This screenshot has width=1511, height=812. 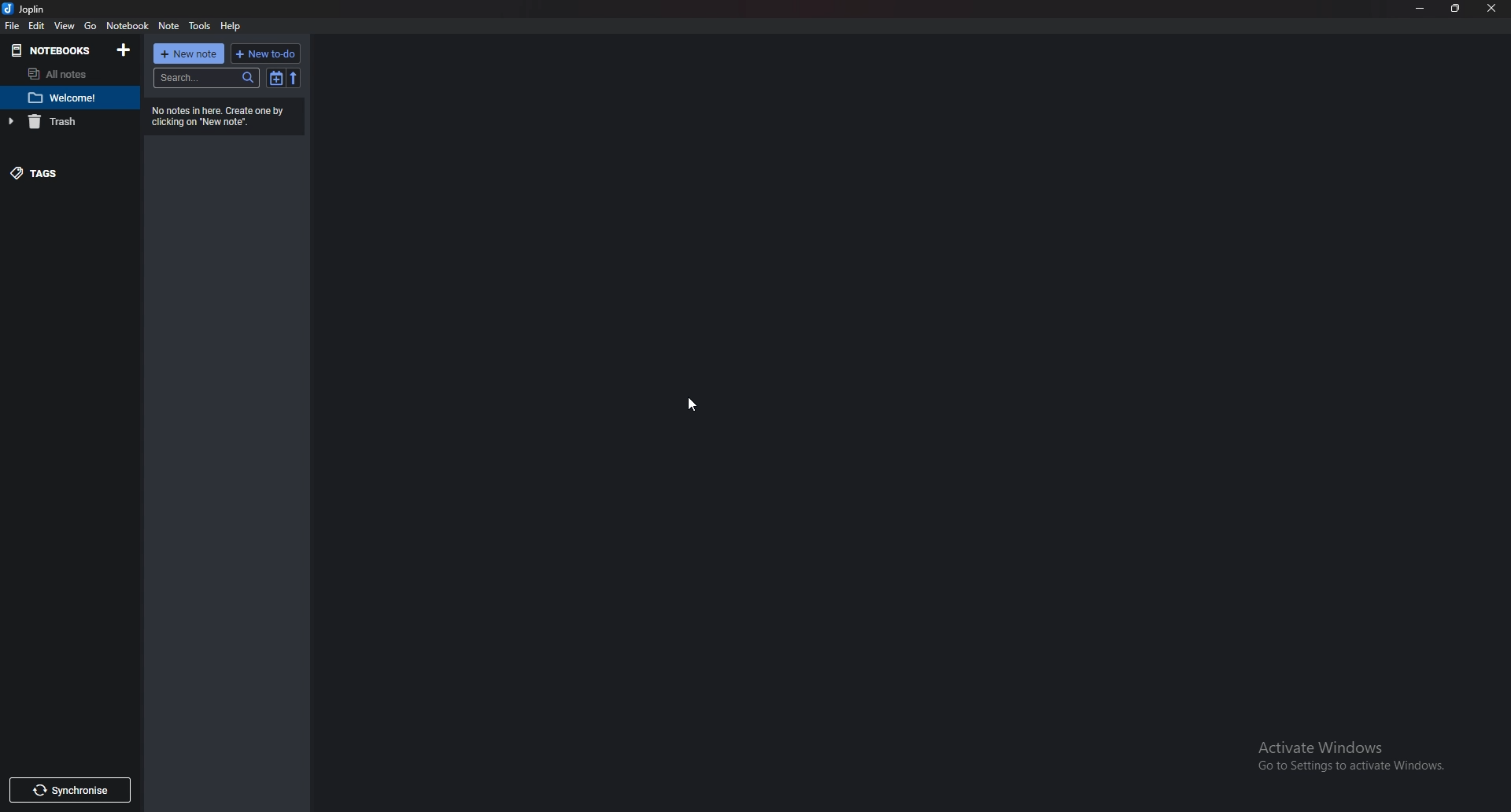 What do you see at coordinates (66, 25) in the screenshot?
I see `view` at bounding box center [66, 25].